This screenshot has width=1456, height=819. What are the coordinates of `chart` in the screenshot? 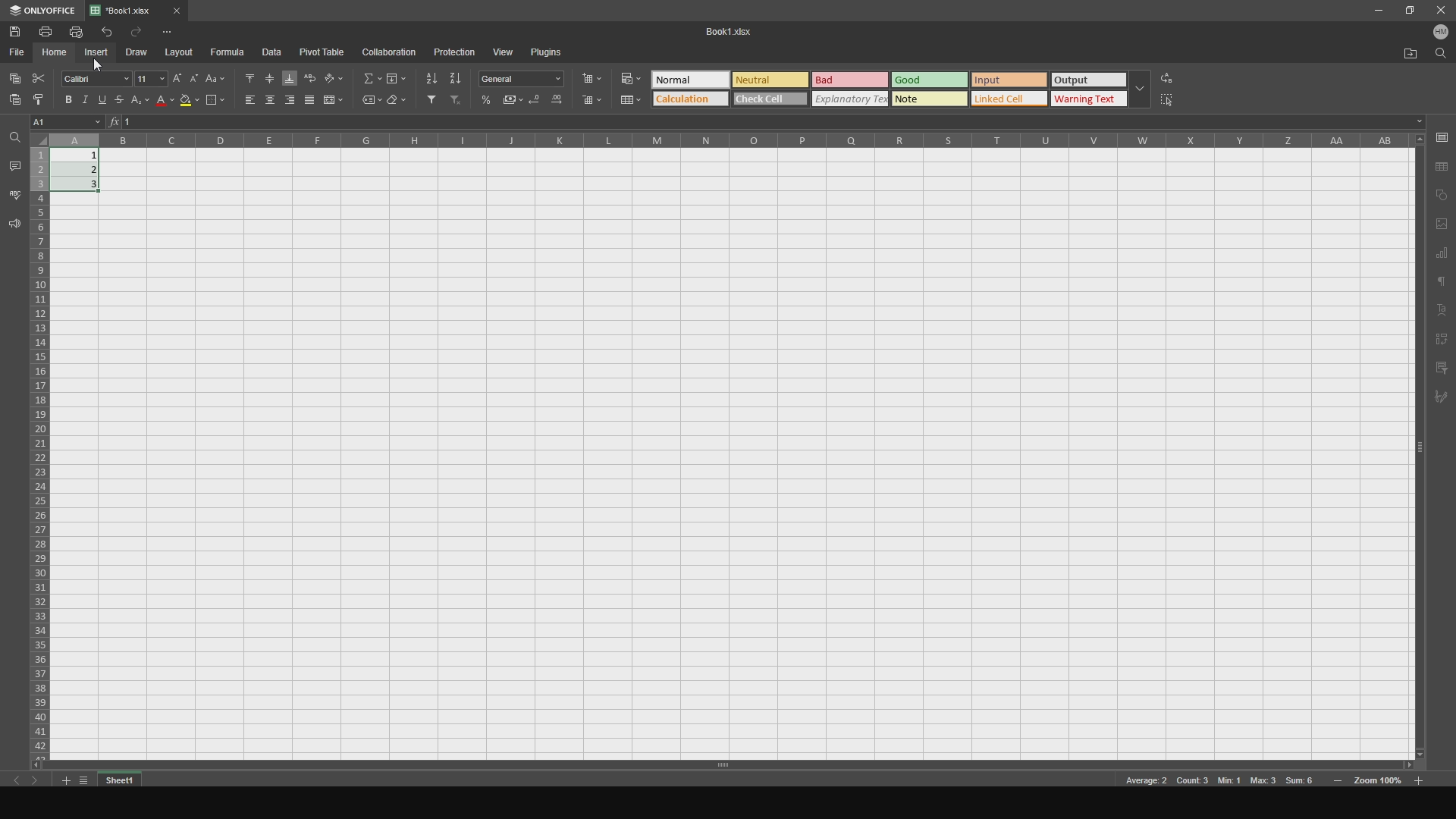 It's located at (1442, 255).